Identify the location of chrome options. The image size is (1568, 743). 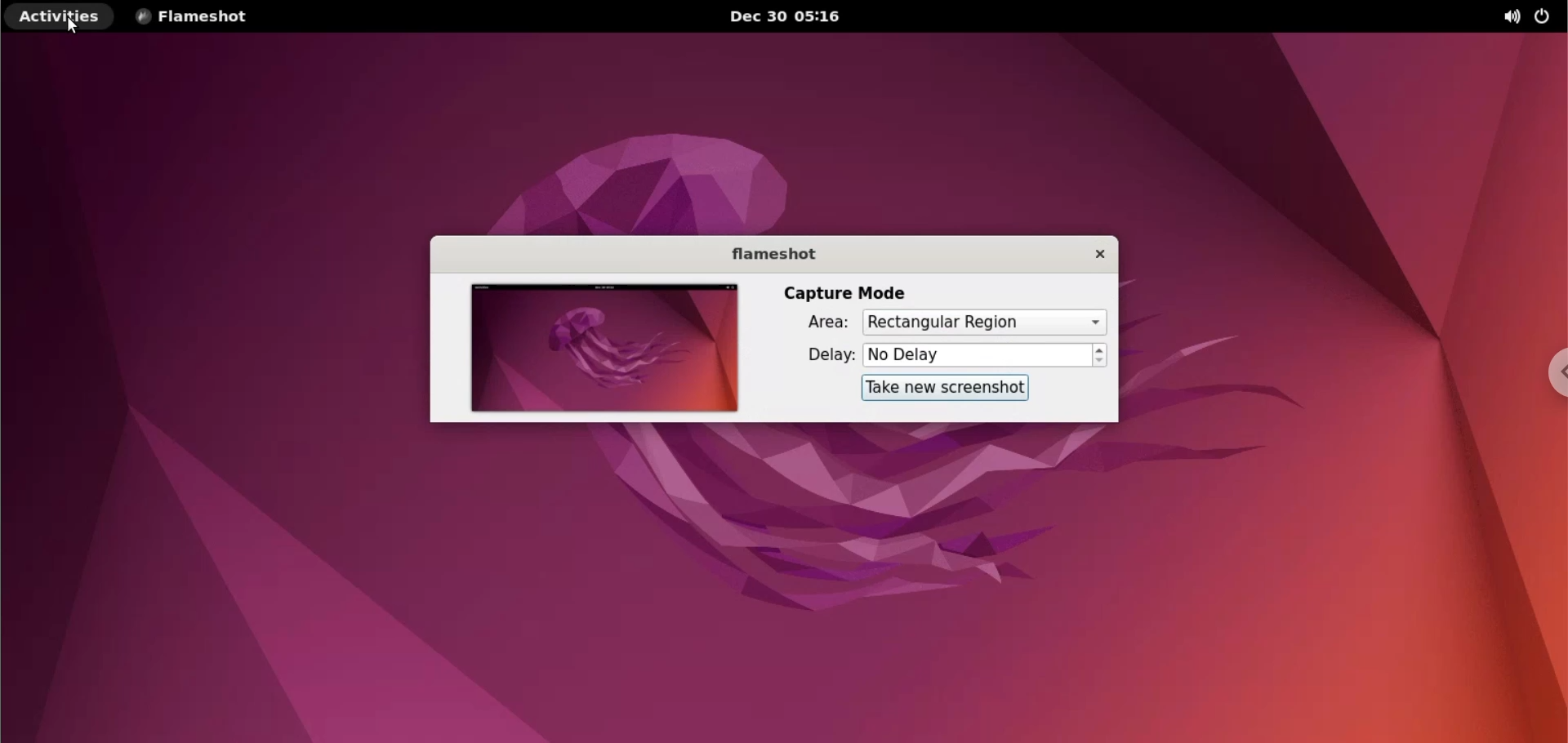
(1552, 375).